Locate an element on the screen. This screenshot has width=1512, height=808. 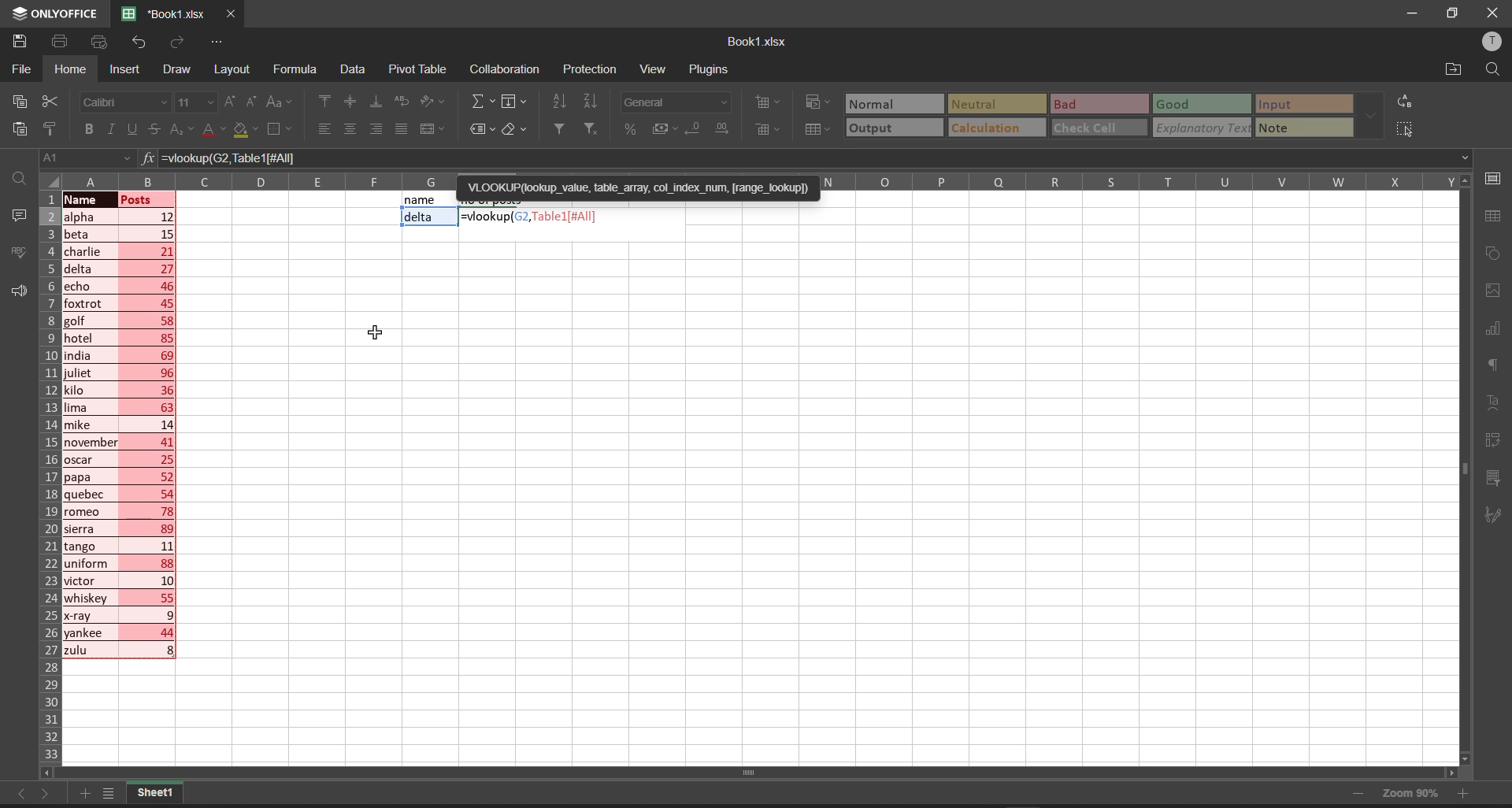
move to the sheet left to the current sheet is located at coordinates (18, 794).